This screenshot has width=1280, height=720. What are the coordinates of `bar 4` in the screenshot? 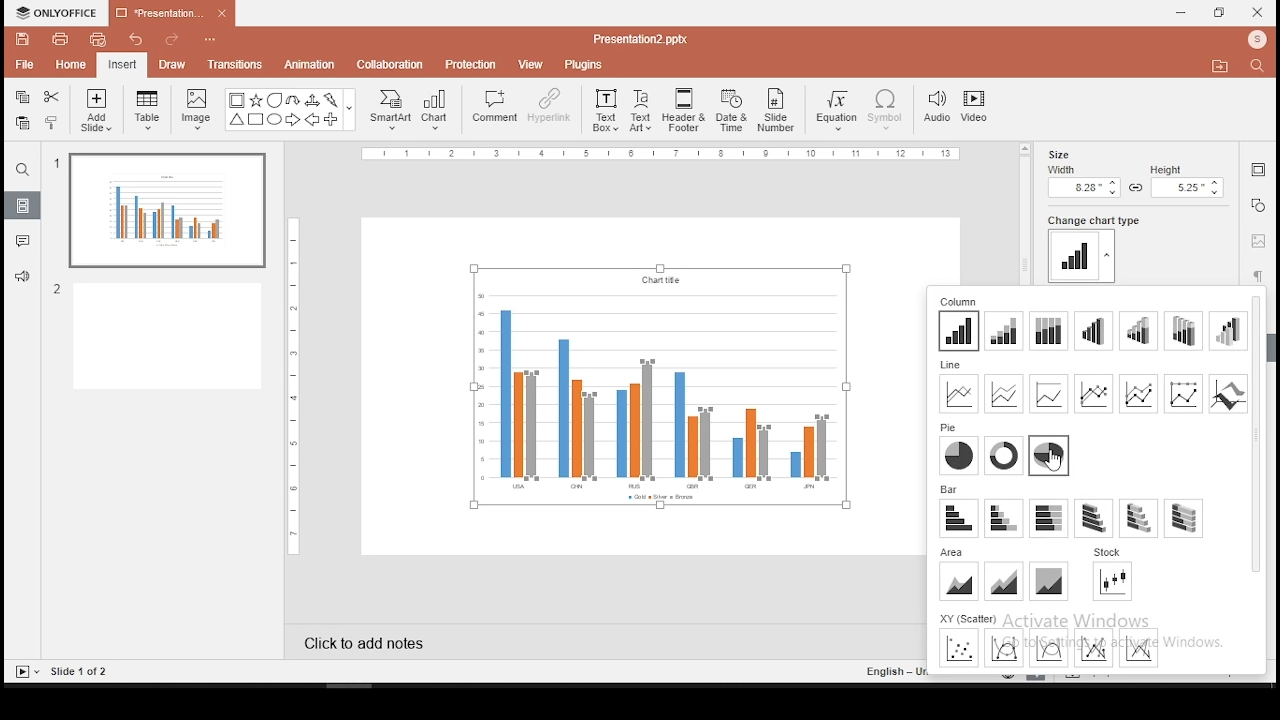 It's located at (1094, 519).